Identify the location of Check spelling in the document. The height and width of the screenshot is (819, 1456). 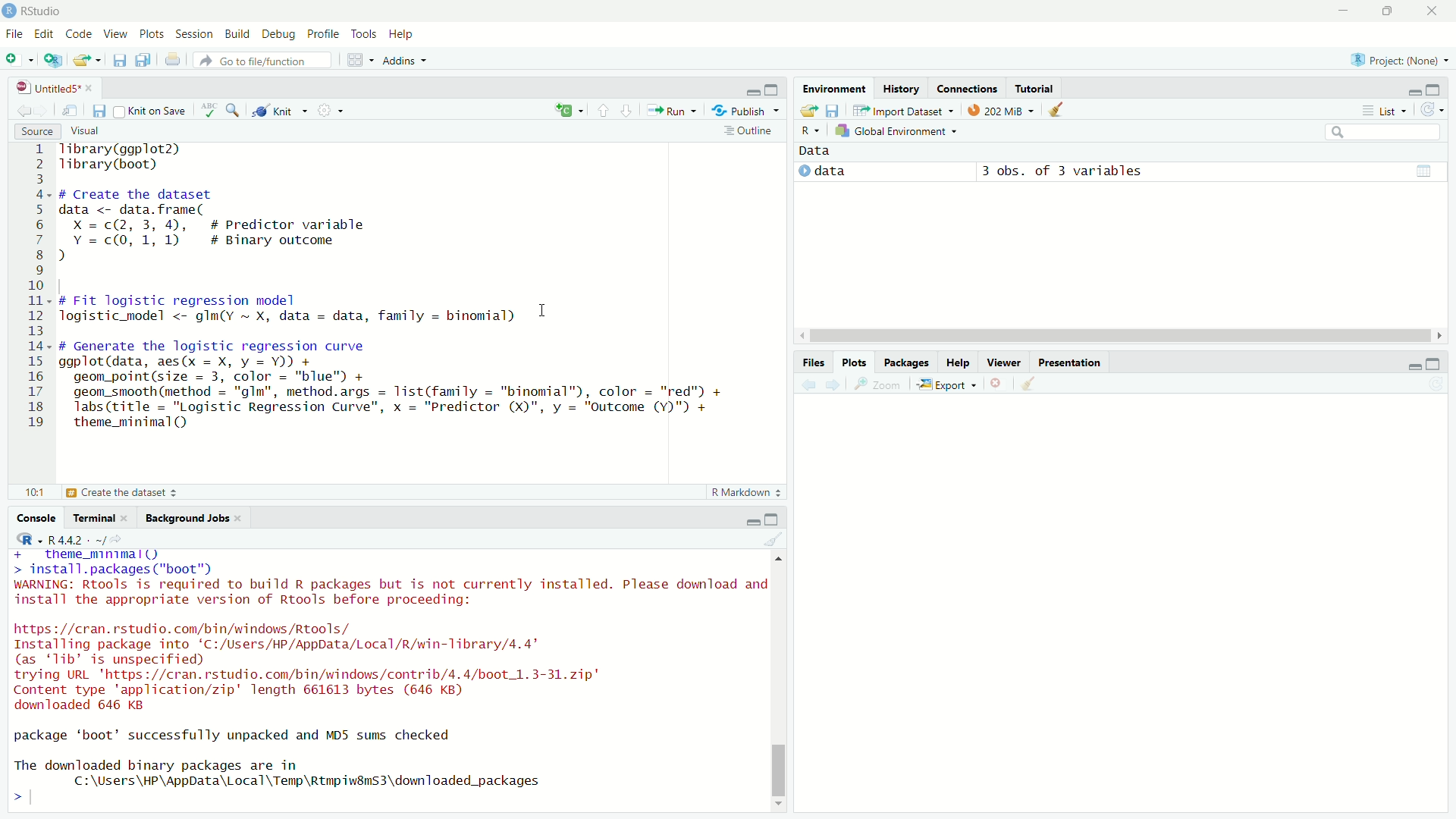
(209, 110).